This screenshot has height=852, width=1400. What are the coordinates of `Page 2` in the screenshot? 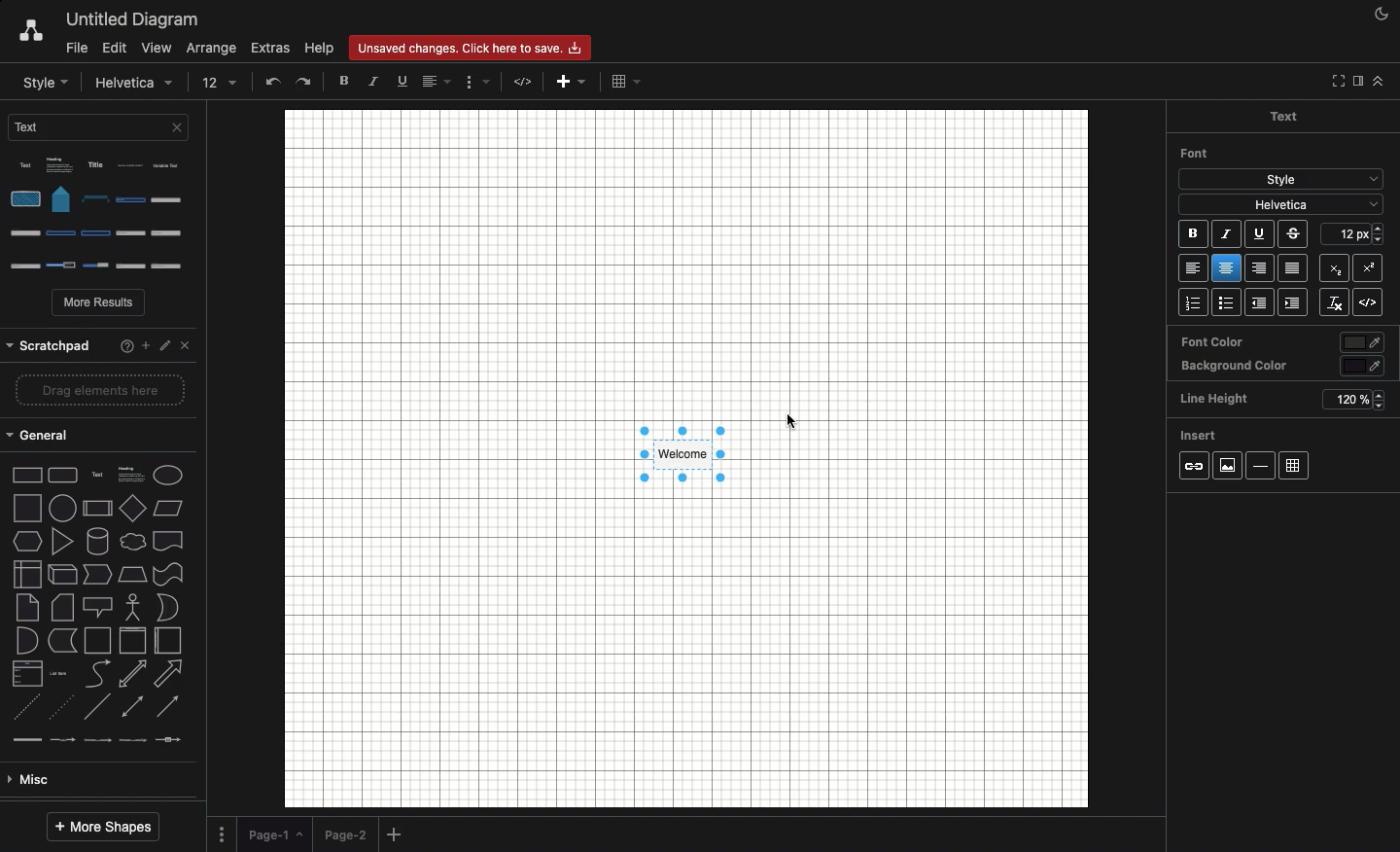 It's located at (344, 834).